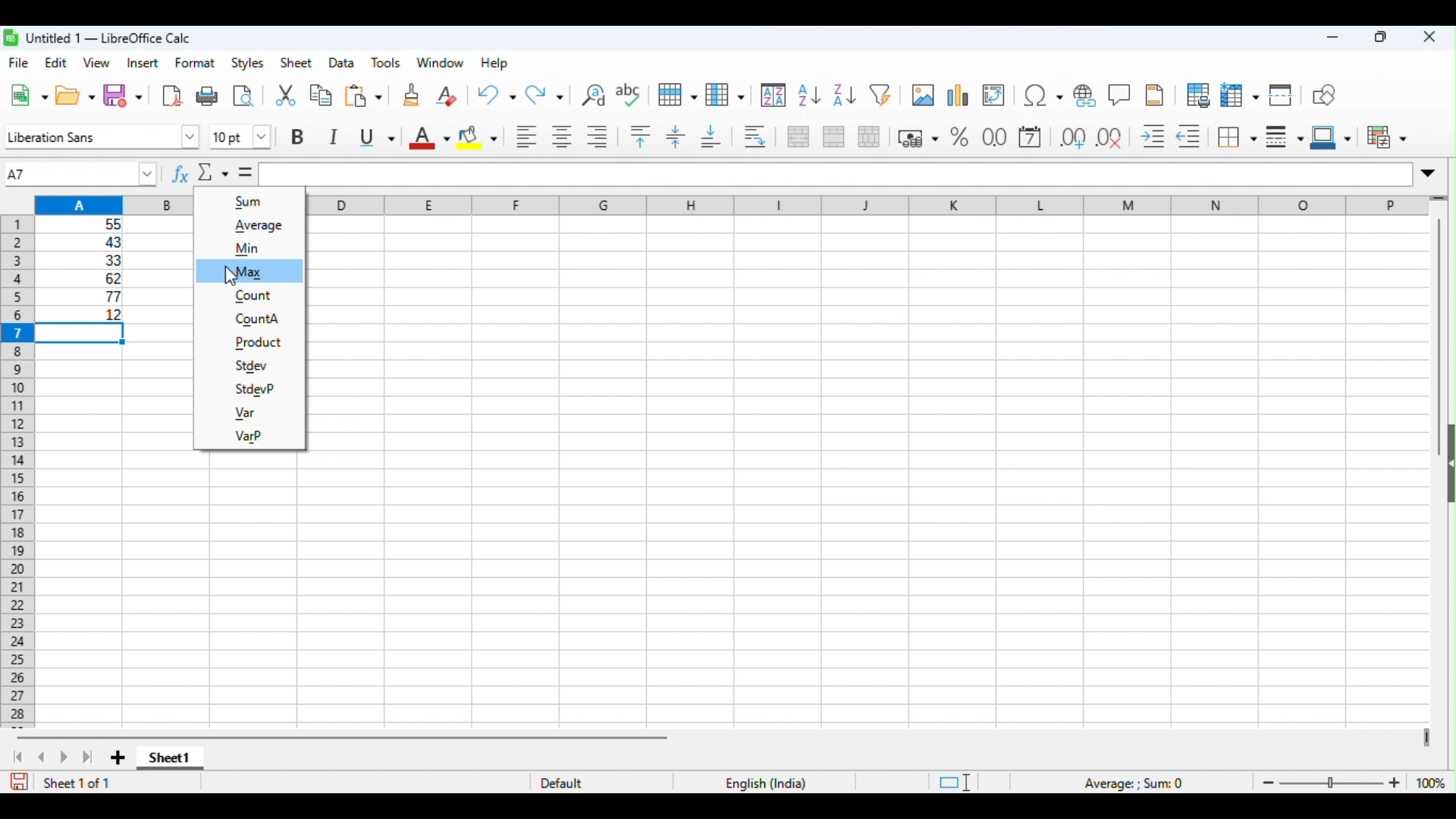 The height and width of the screenshot is (819, 1456). Describe the element at coordinates (196, 63) in the screenshot. I see `format` at that location.